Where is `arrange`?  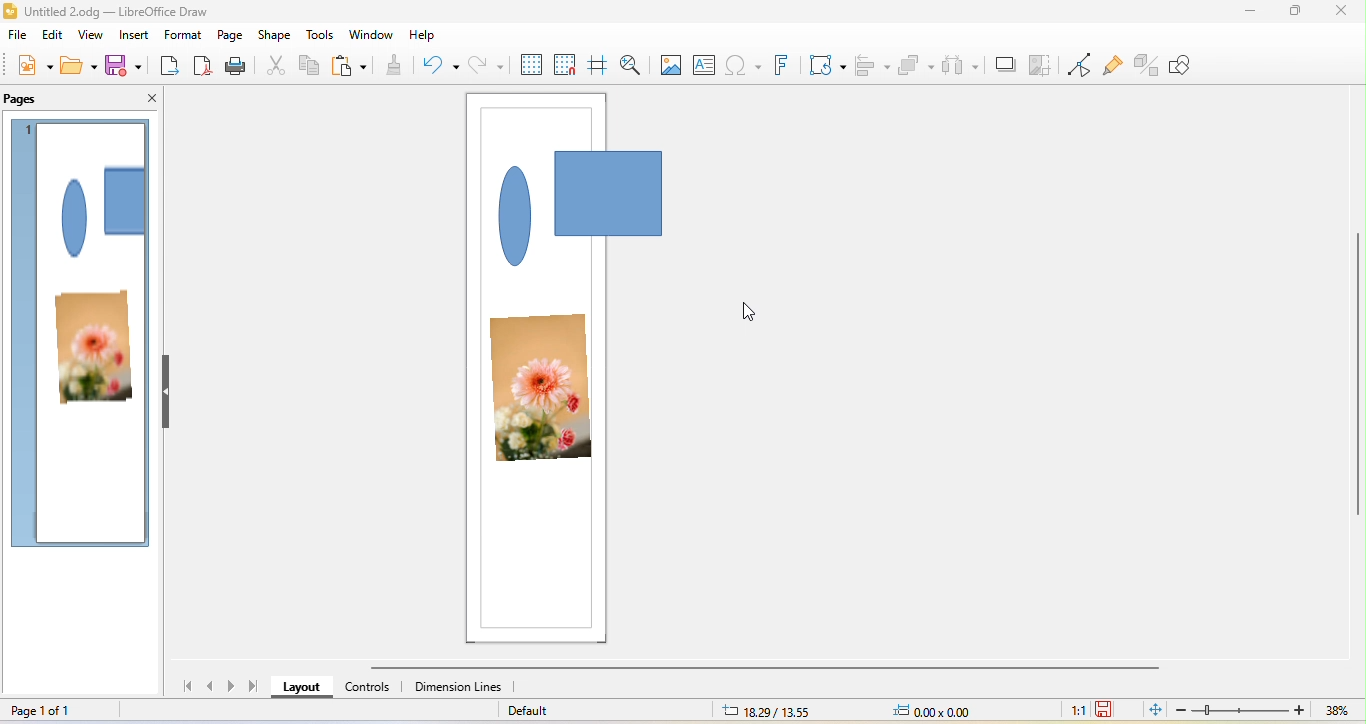
arrange is located at coordinates (920, 62).